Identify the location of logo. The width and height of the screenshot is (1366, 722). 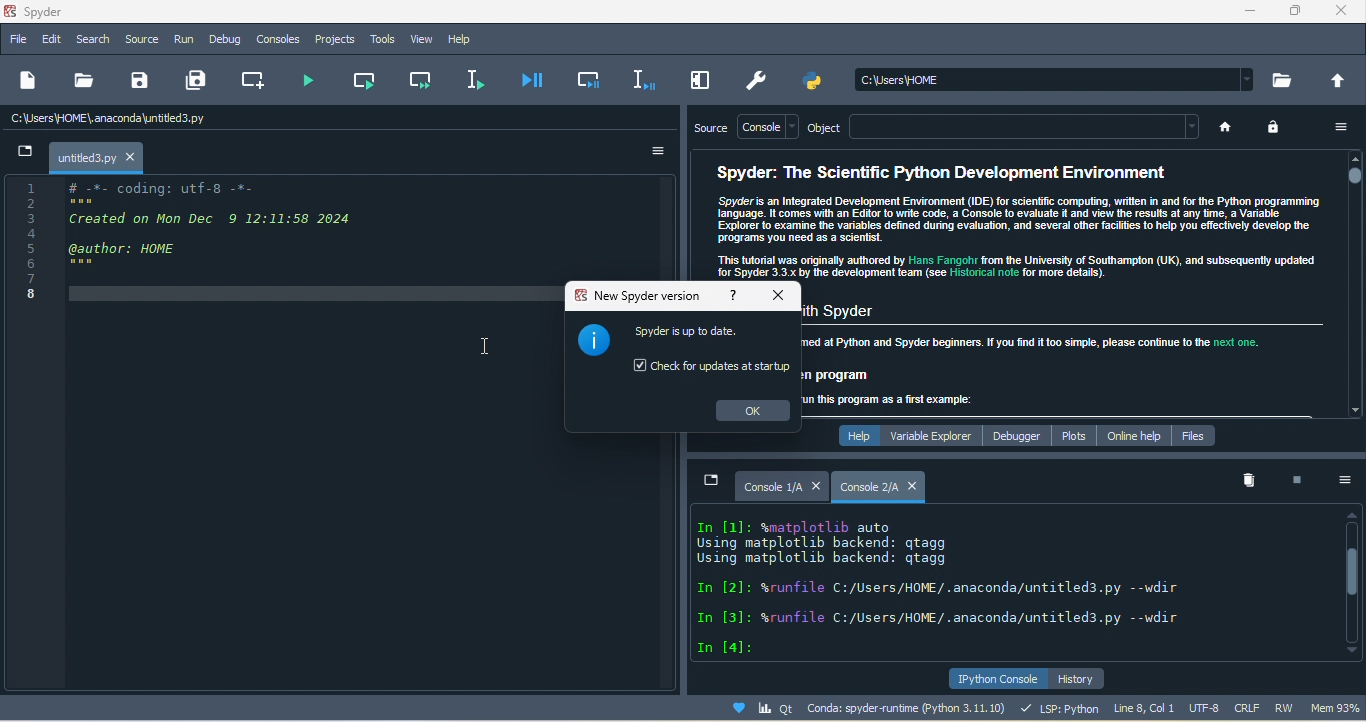
(591, 345).